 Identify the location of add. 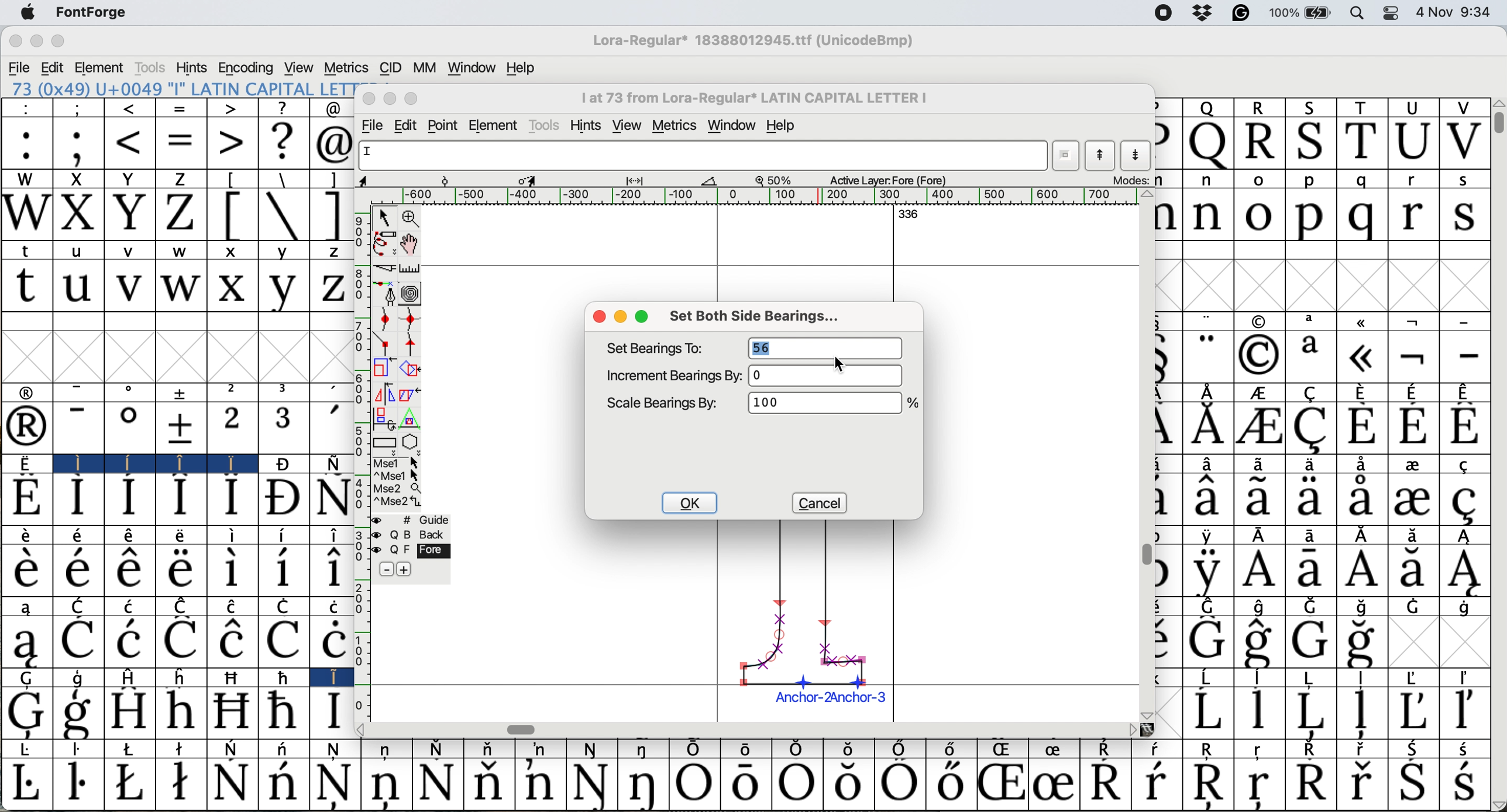
(406, 569).